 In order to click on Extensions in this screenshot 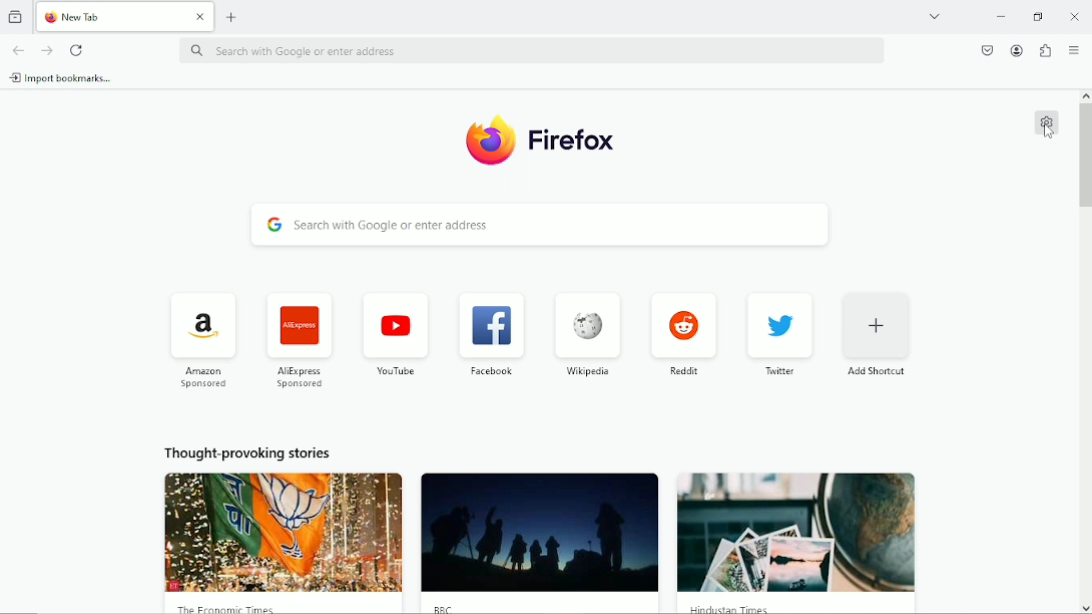, I will do `click(1045, 49)`.